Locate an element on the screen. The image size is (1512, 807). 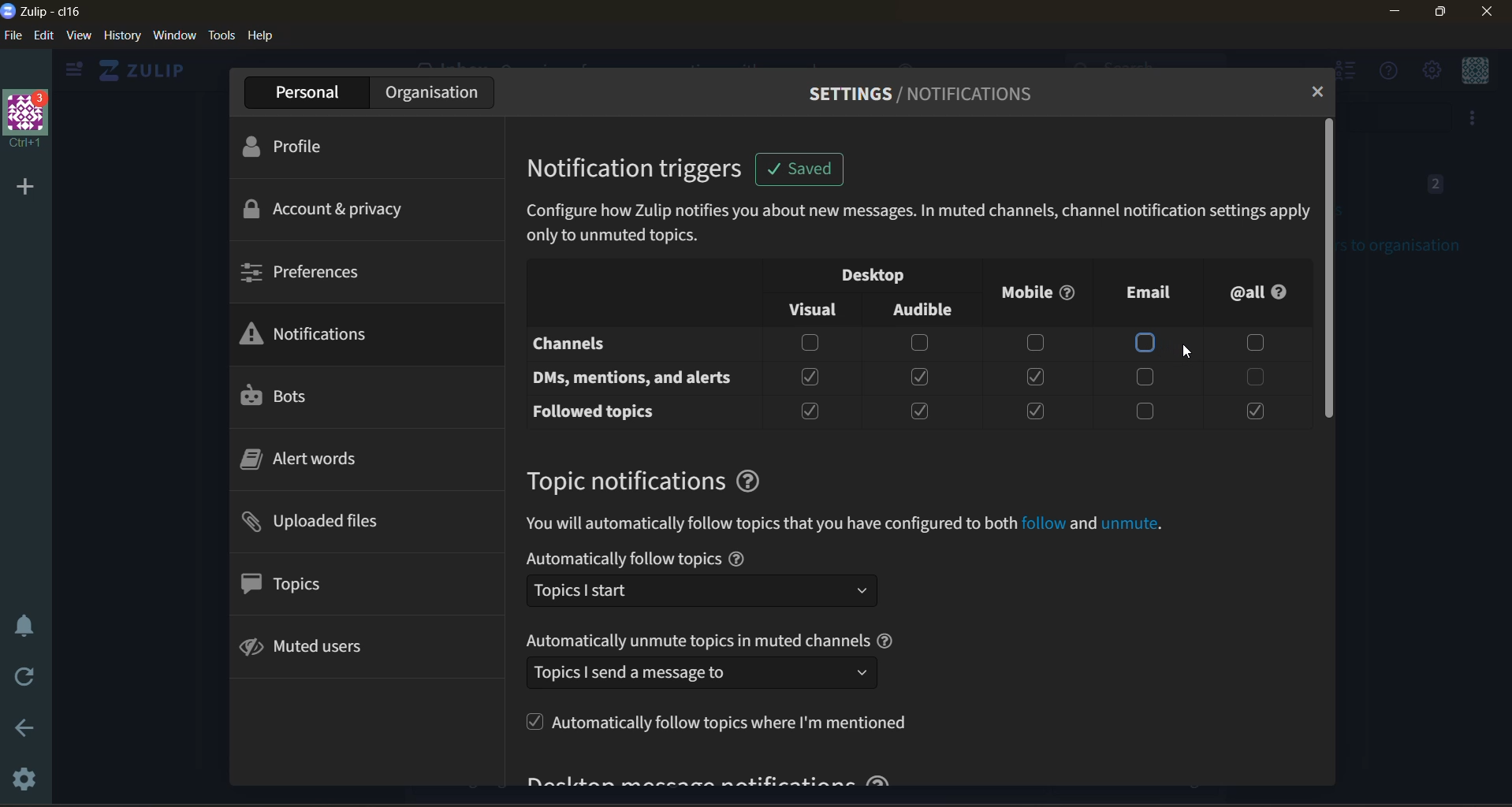
hide sidebar is located at coordinates (70, 73).